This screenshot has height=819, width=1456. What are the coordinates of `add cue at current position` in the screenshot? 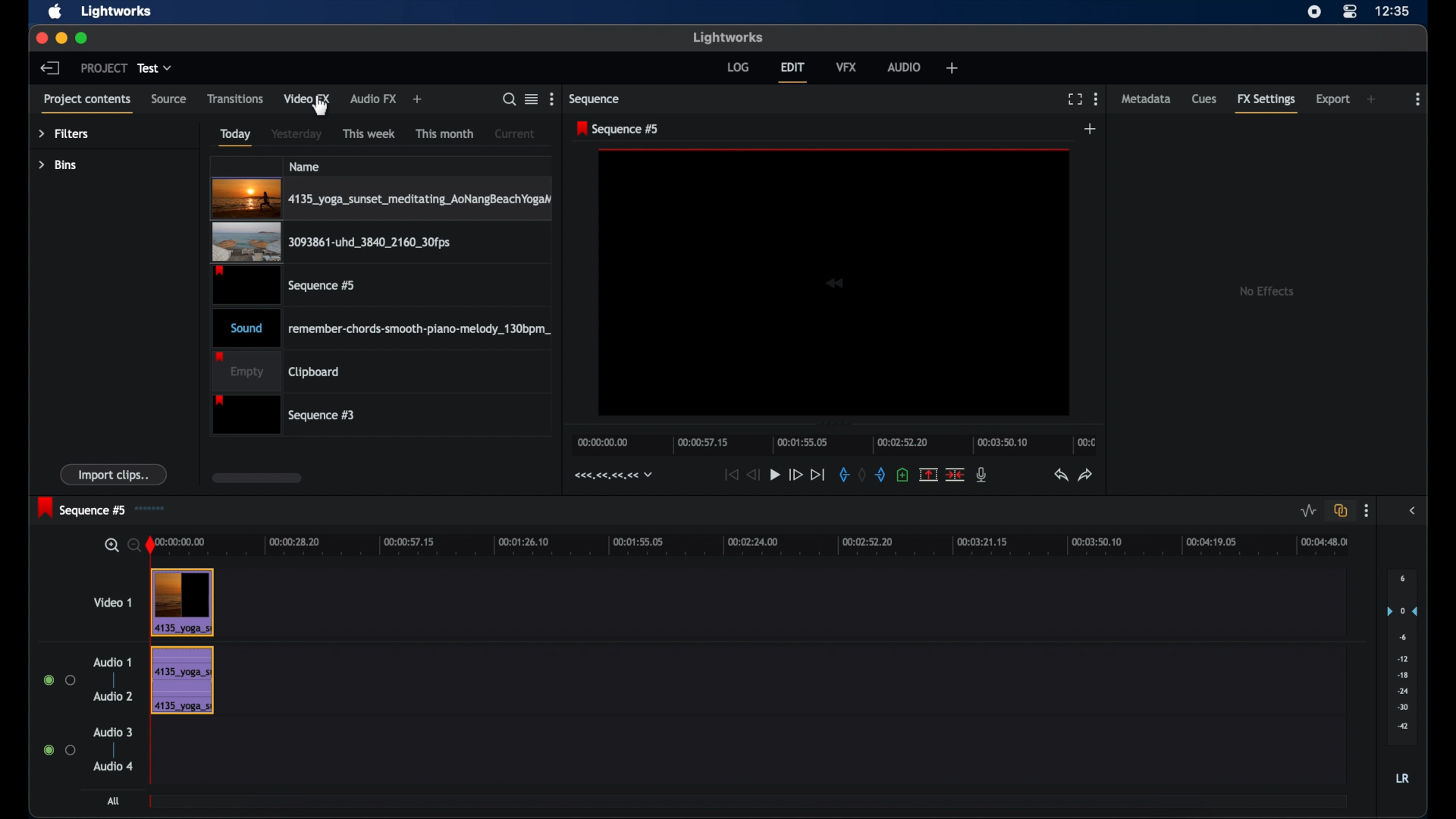 It's located at (904, 475).